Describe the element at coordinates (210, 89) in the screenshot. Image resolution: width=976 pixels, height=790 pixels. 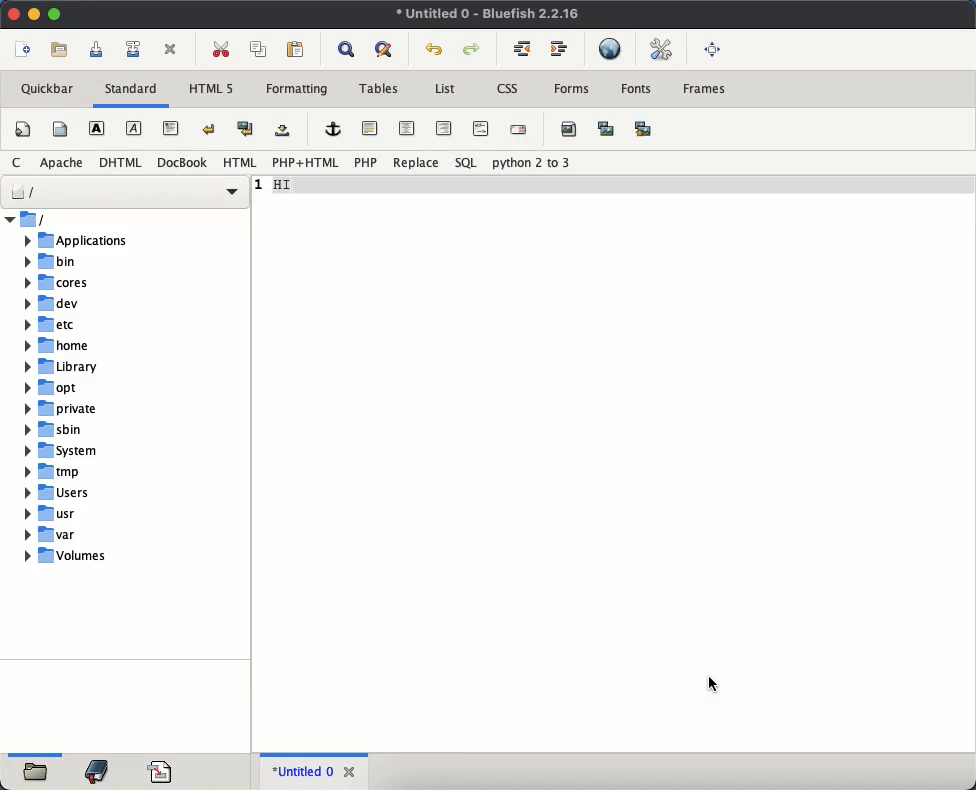
I see `html 5` at that location.